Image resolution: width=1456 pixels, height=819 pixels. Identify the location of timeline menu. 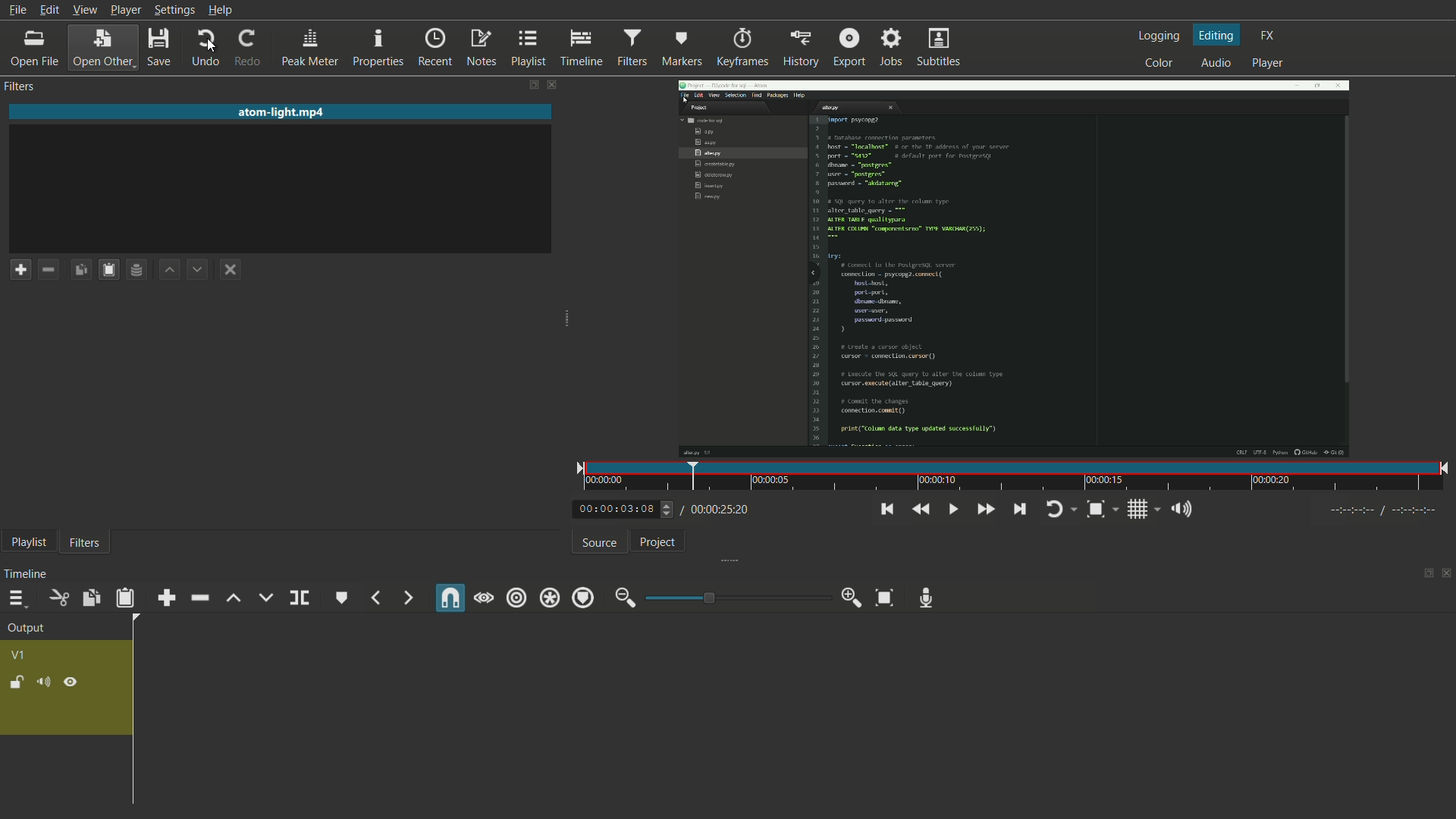
(14, 598).